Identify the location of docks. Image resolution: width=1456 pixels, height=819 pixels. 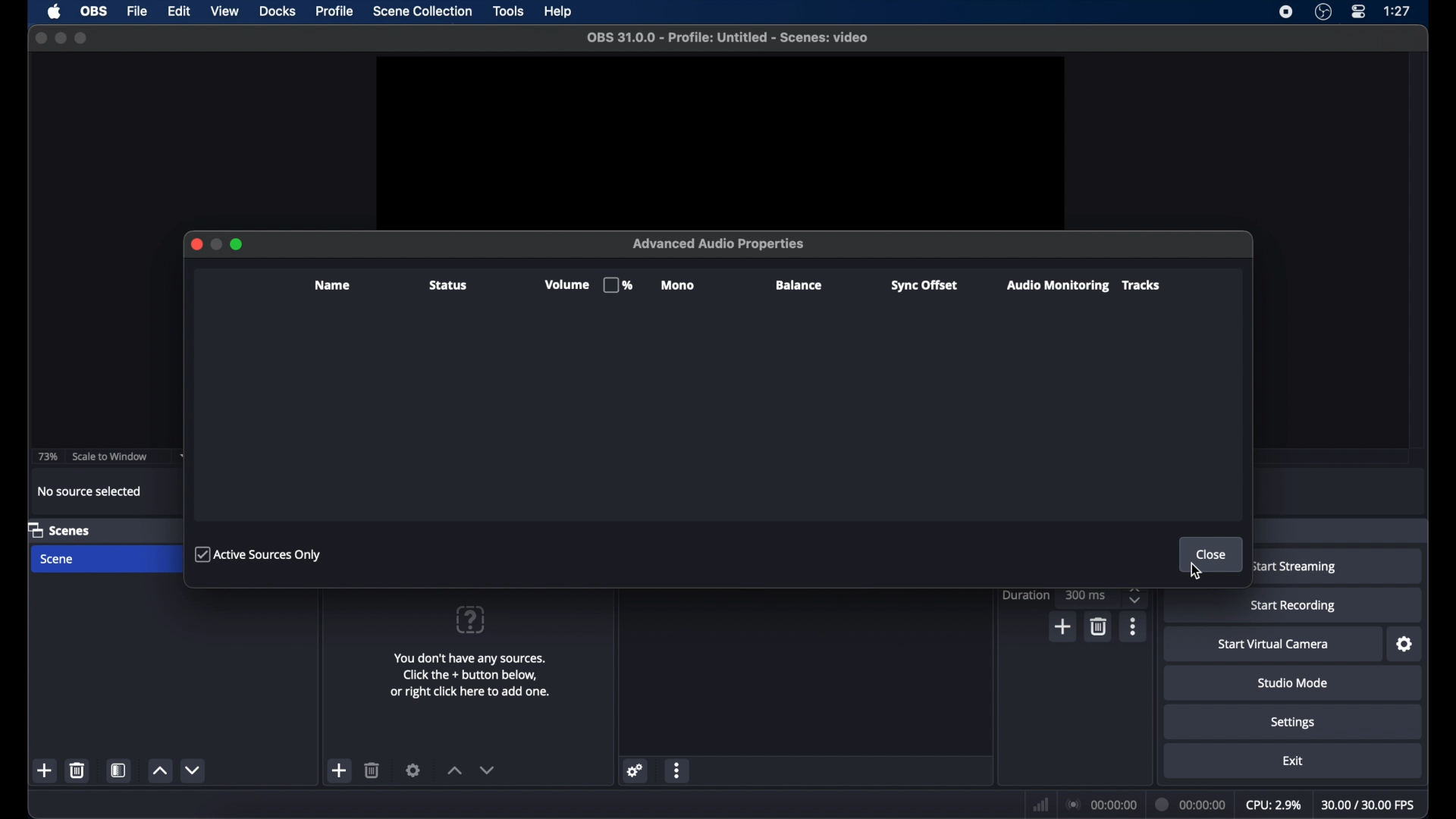
(278, 11).